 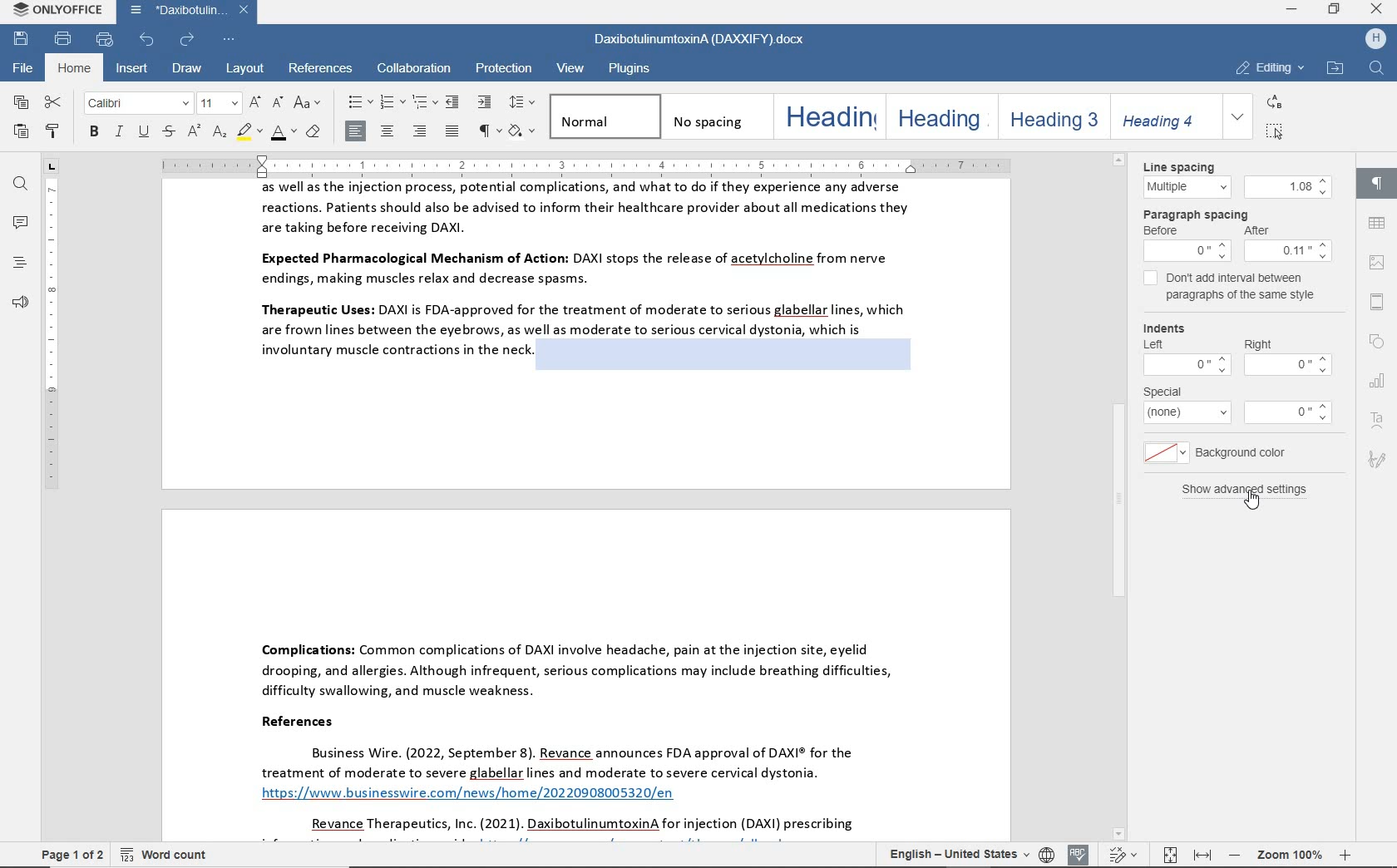 I want to click on heading 4, so click(x=1161, y=116).